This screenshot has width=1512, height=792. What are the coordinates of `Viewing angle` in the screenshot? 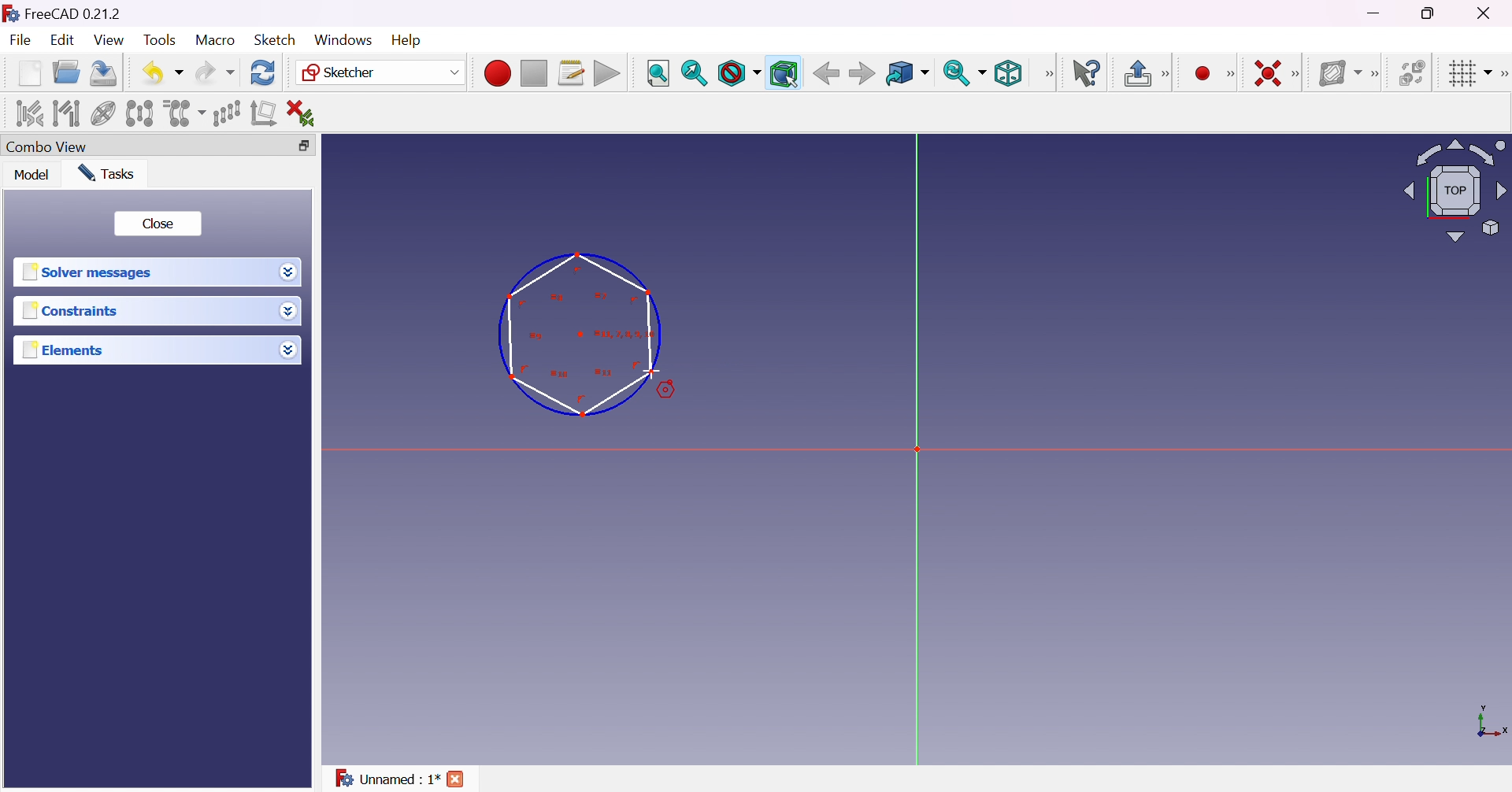 It's located at (1454, 189).